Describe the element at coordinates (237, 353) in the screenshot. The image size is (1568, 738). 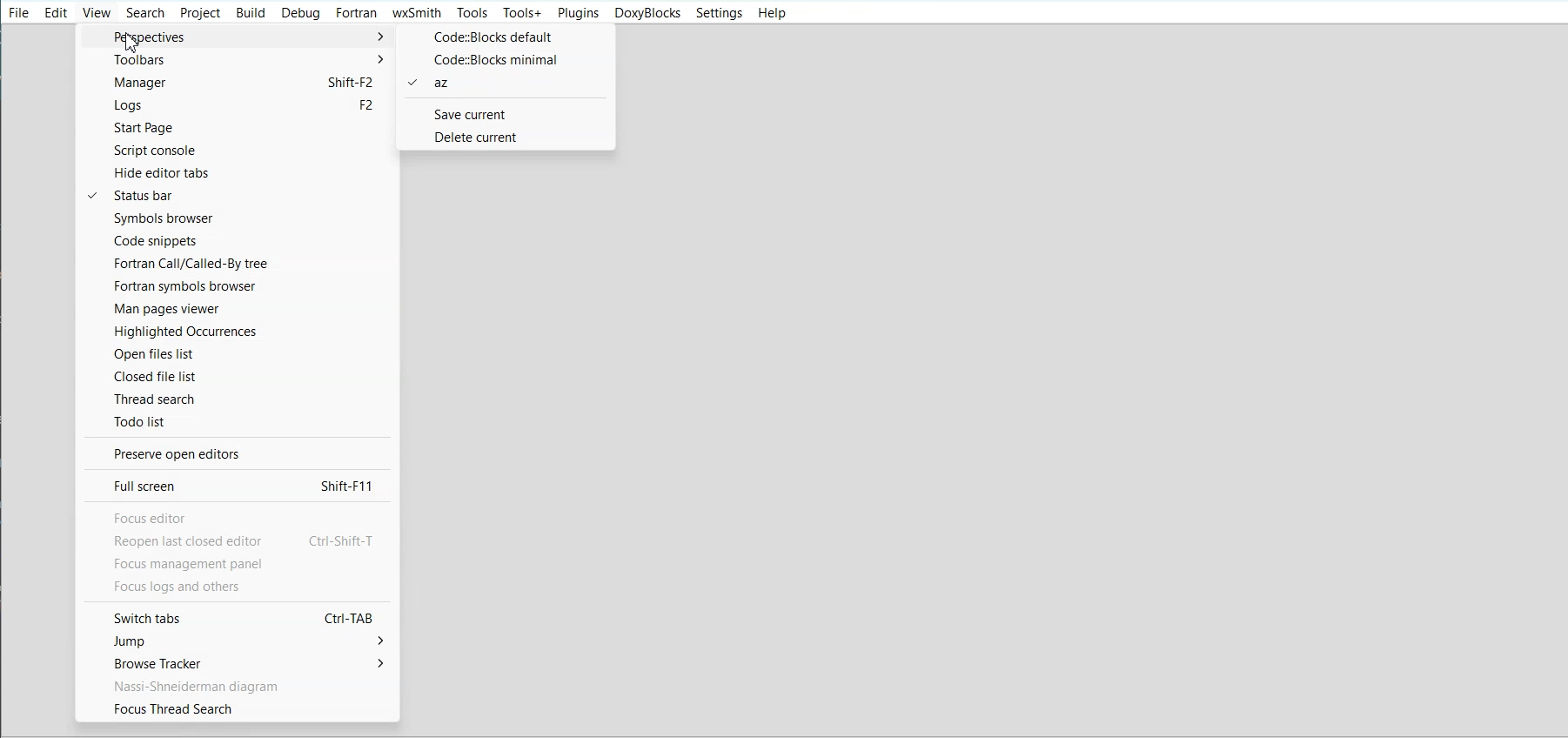
I see `Open files list` at that location.